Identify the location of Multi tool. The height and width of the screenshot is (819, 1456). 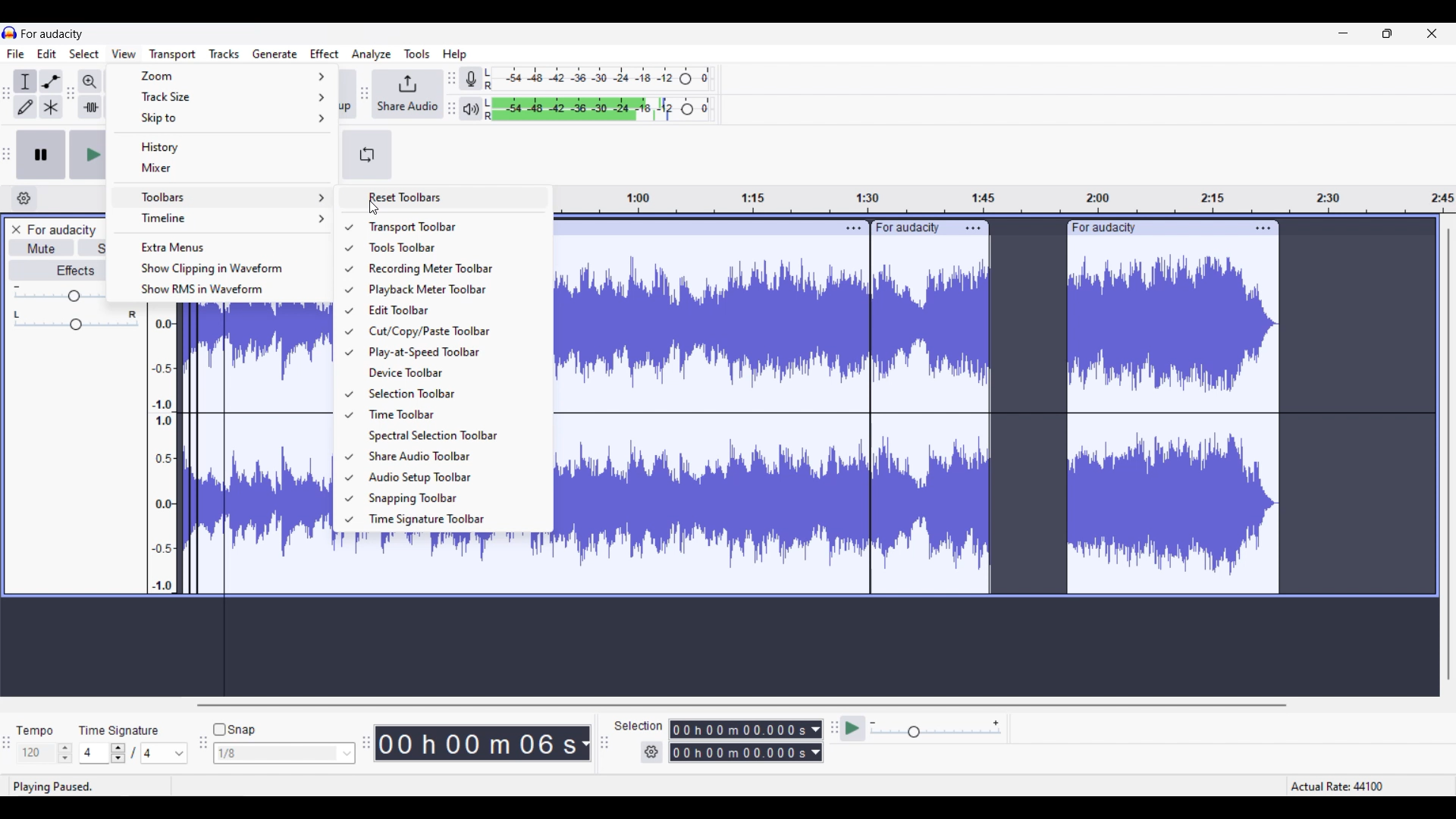
(51, 106).